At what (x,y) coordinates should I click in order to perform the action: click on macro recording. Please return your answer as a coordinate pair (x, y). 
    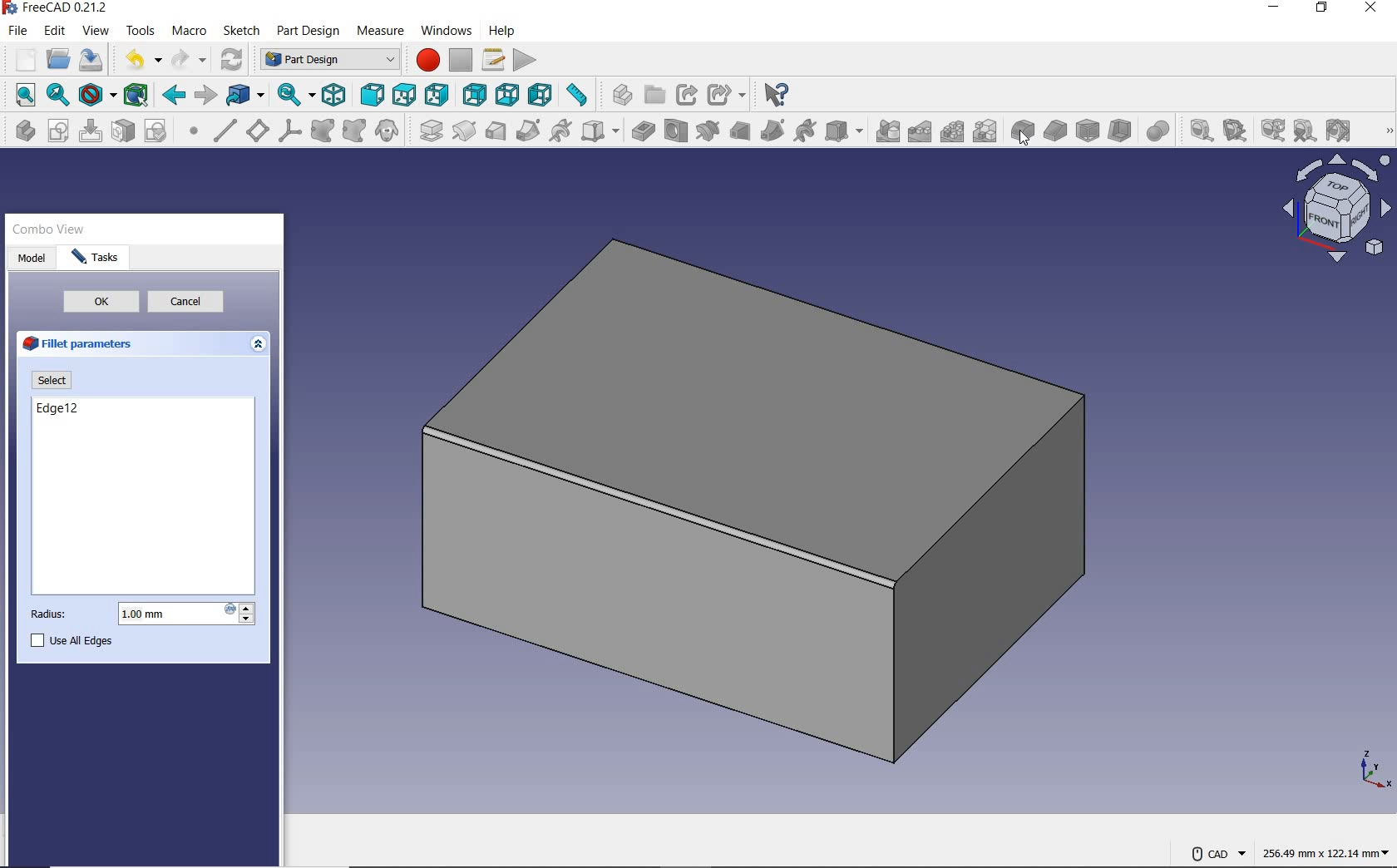
    Looking at the image, I should click on (426, 60).